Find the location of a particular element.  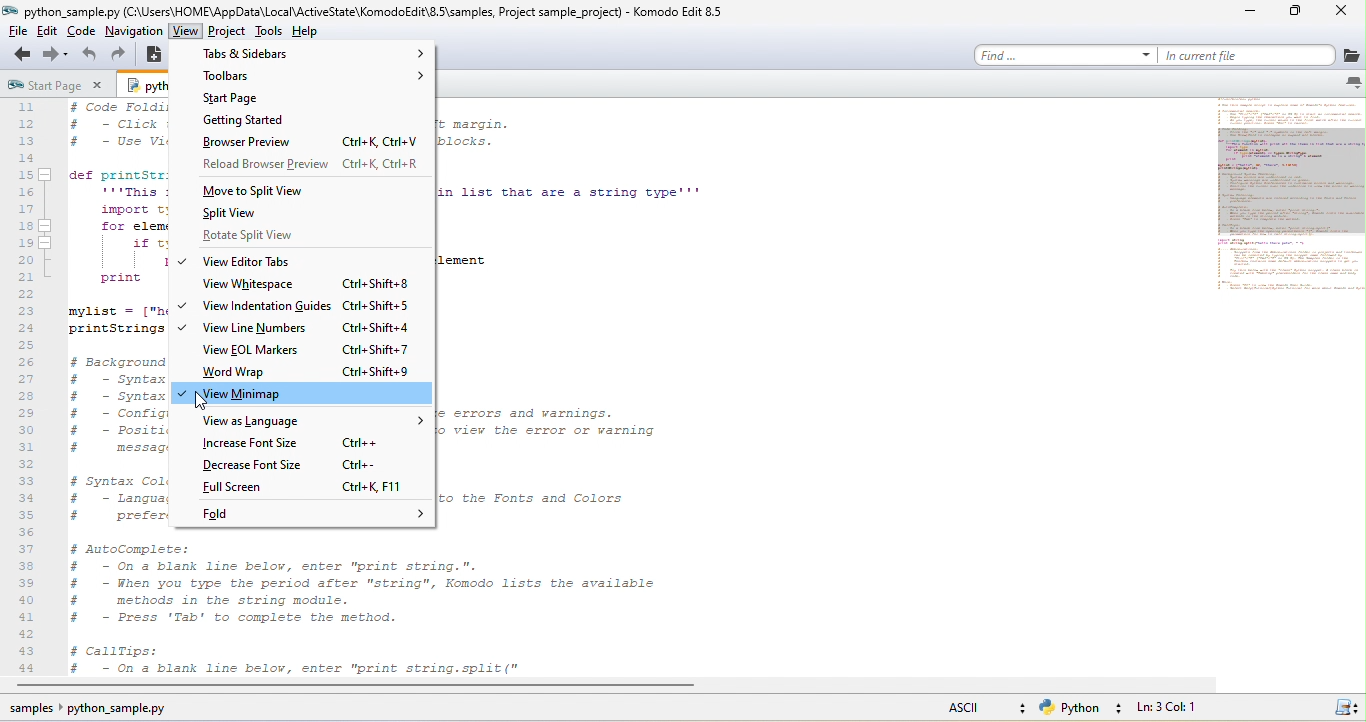

undo is located at coordinates (92, 57).